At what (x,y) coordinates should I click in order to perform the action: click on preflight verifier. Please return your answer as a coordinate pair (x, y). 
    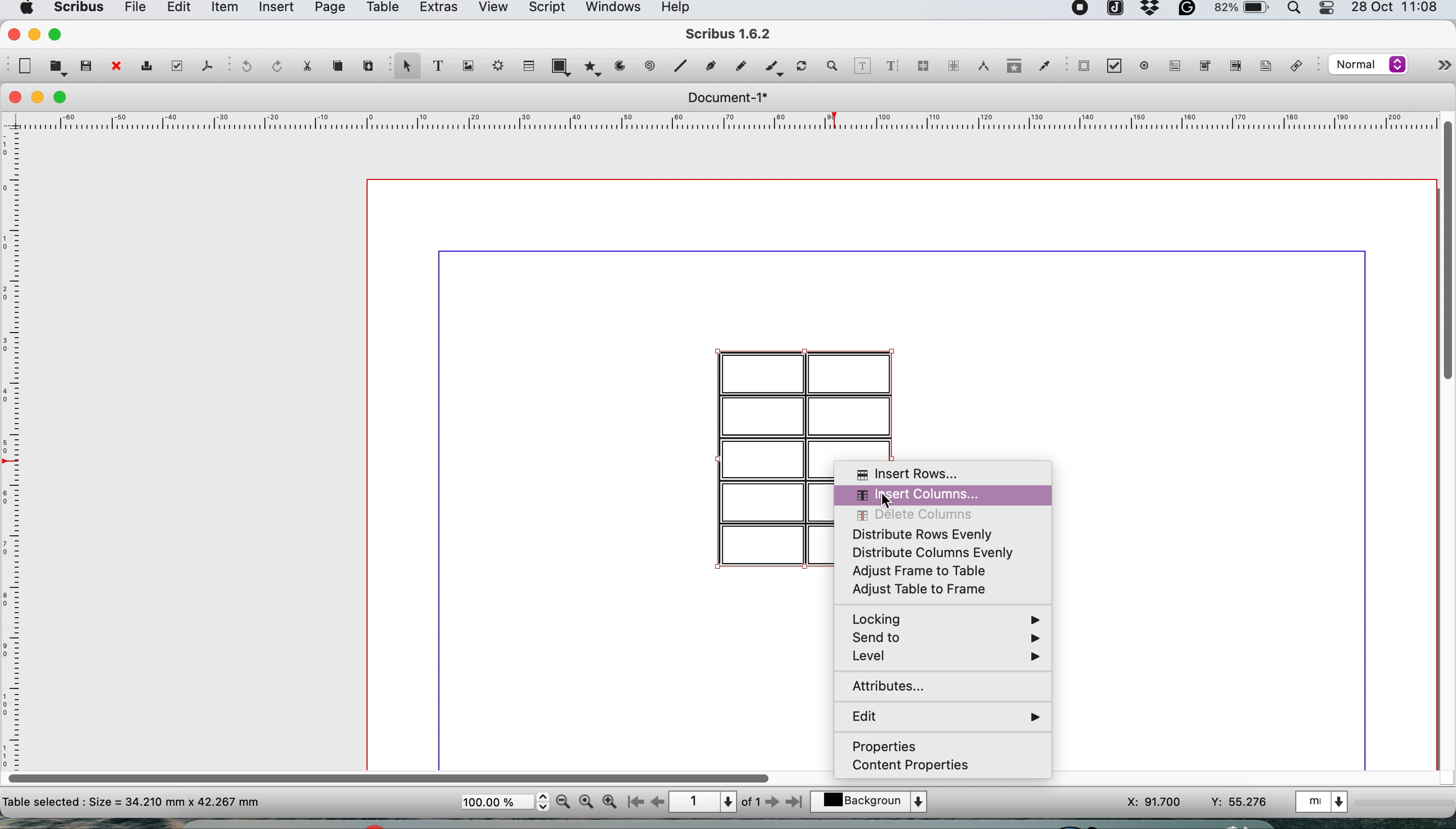
    Looking at the image, I should click on (174, 65).